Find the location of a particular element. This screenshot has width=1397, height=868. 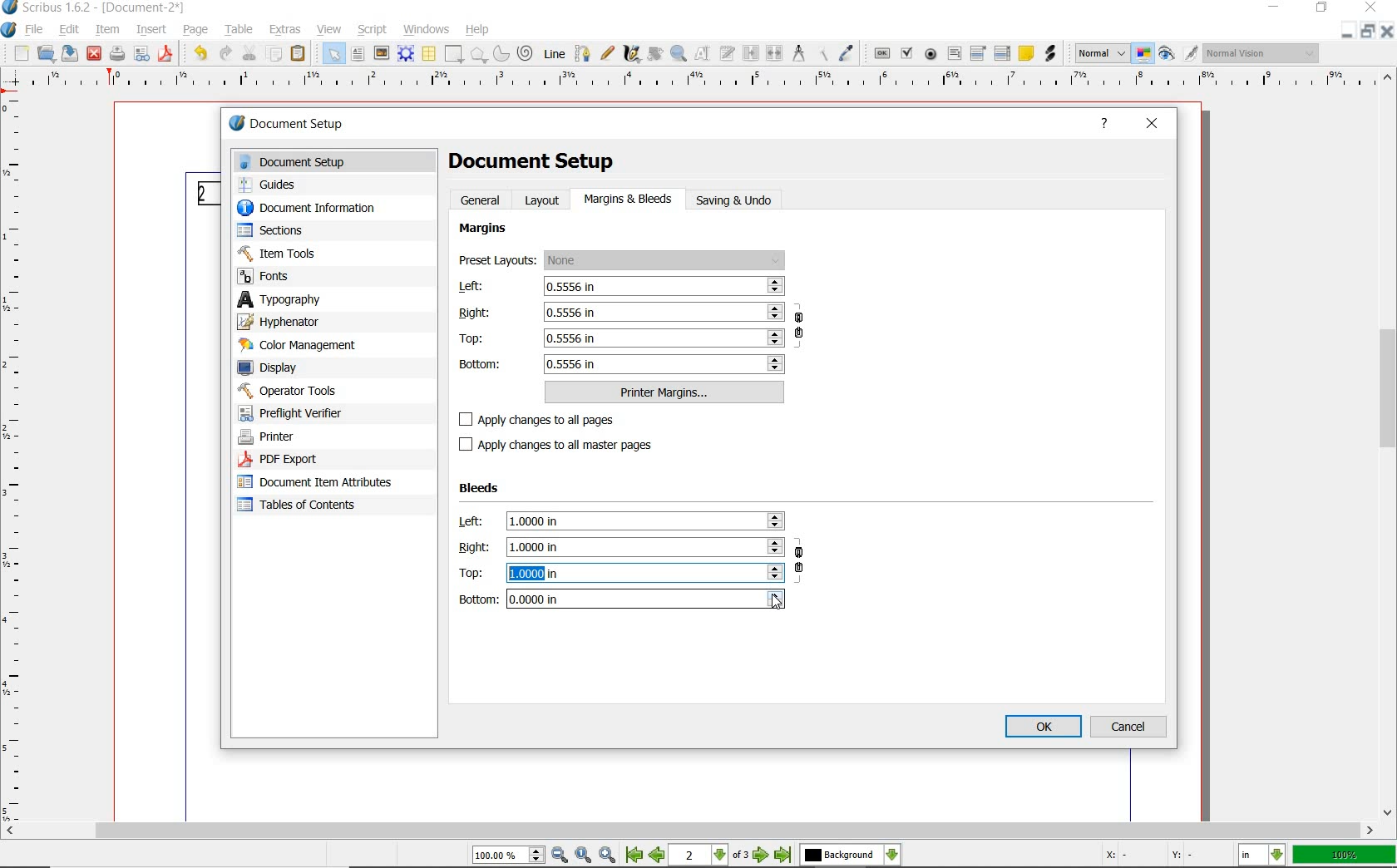

text annotation is located at coordinates (1026, 54).